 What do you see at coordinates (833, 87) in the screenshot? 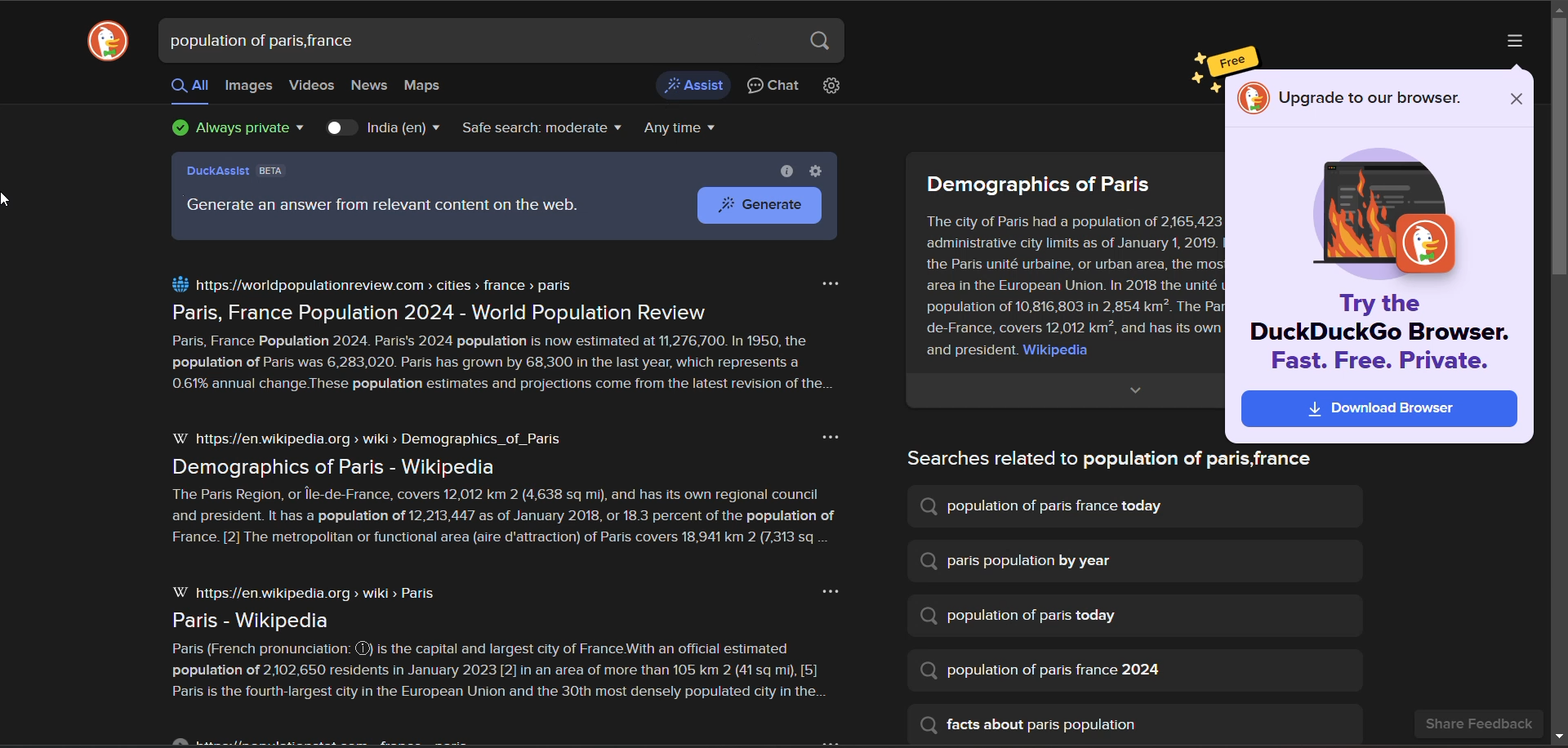
I see `change search settings` at bounding box center [833, 87].